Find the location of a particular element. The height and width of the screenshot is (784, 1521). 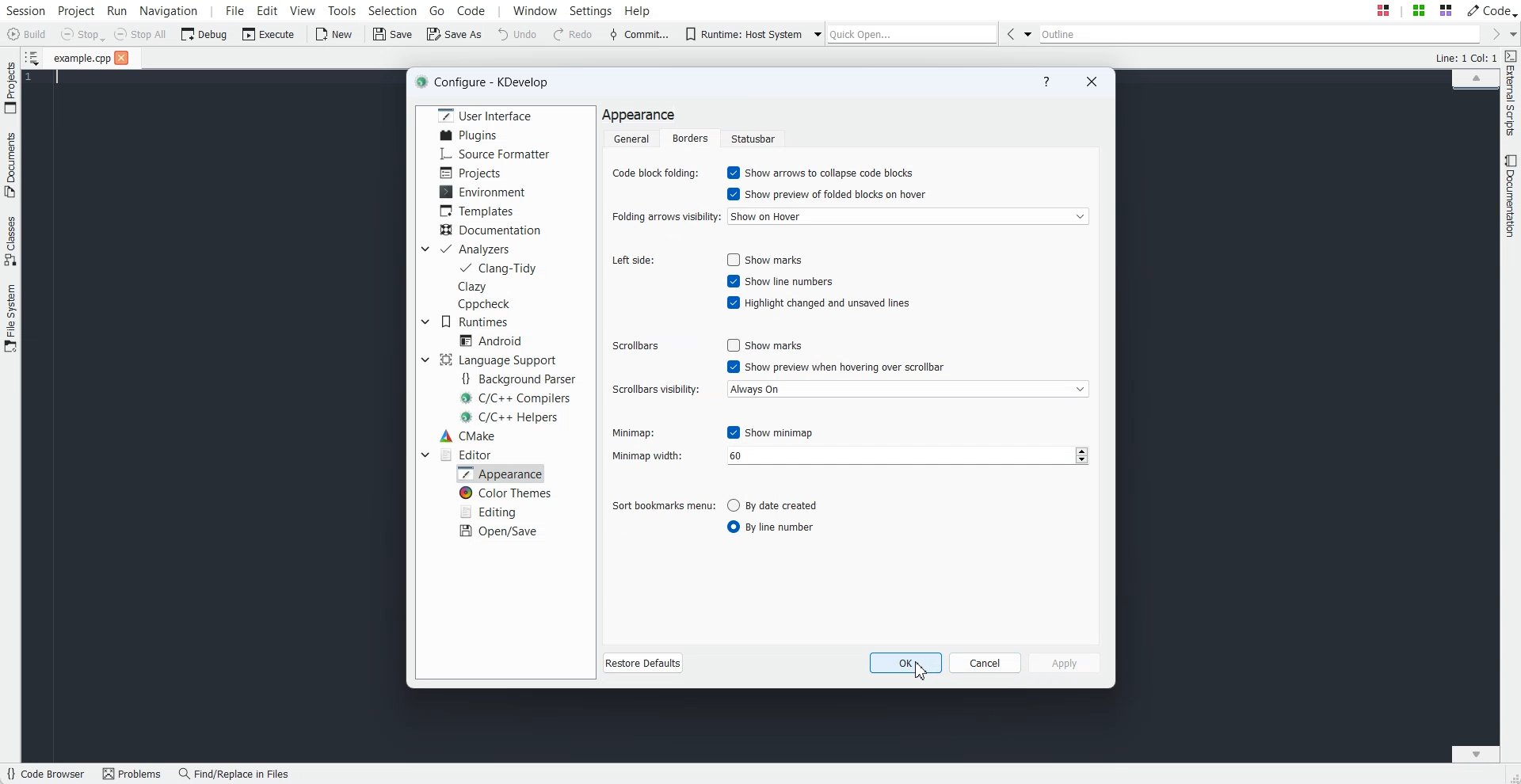

Problems is located at coordinates (135, 774).